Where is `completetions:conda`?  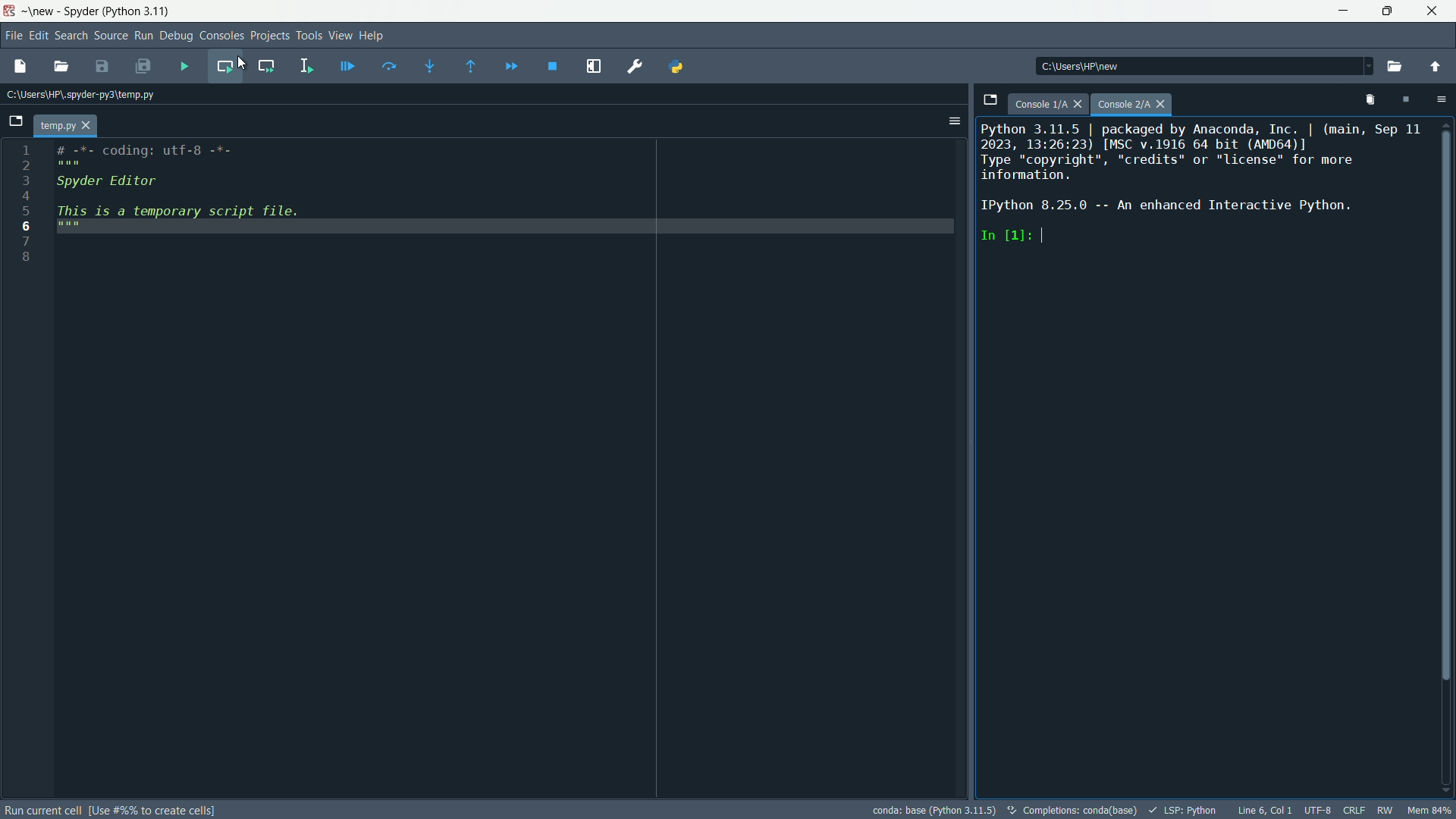 completetions:conda is located at coordinates (1072, 811).